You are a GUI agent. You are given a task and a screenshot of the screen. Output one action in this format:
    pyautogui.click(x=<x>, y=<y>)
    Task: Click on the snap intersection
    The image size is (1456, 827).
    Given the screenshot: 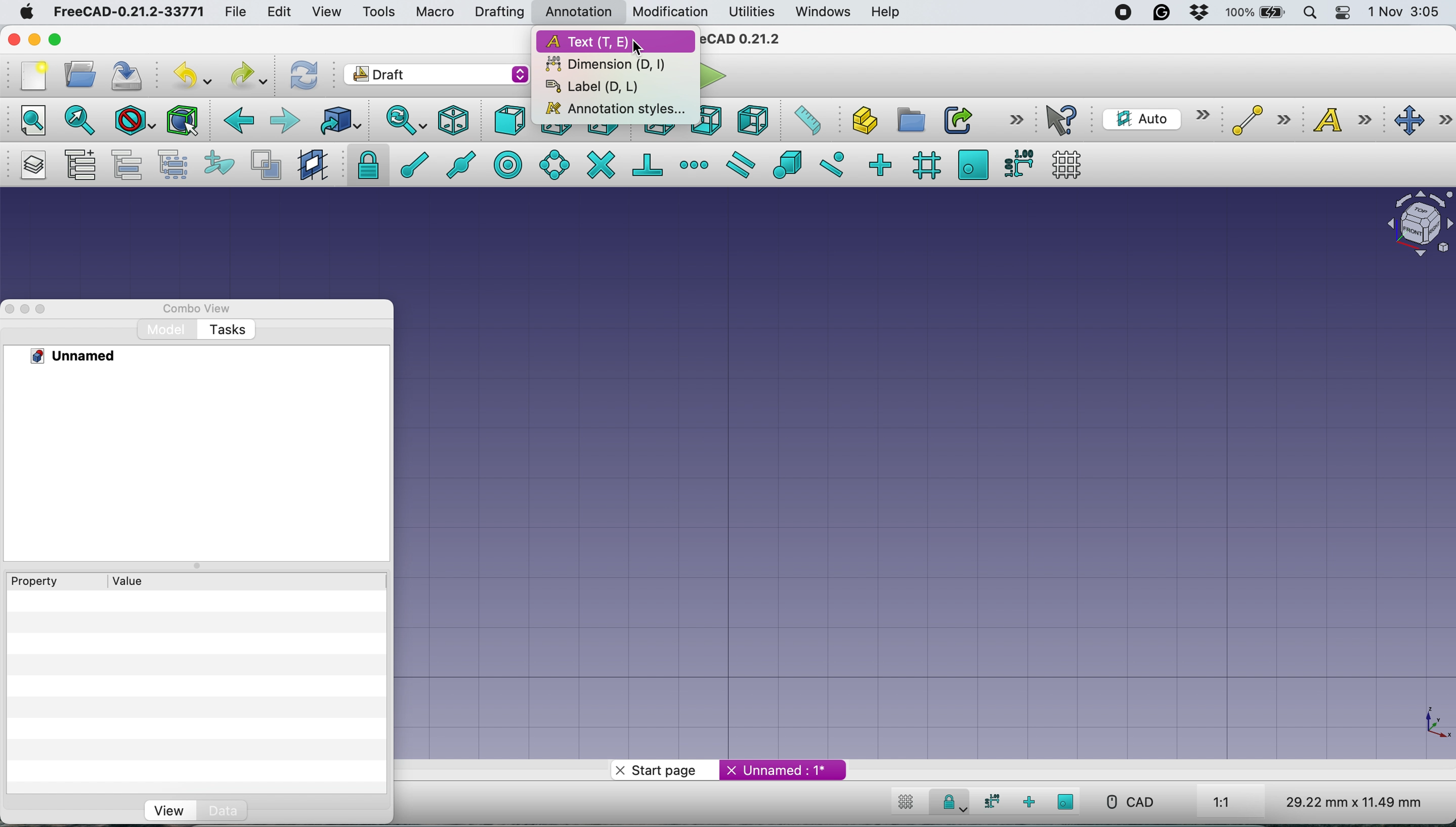 What is the action you would take?
    pyautogui.click(x=600, y=166)
    